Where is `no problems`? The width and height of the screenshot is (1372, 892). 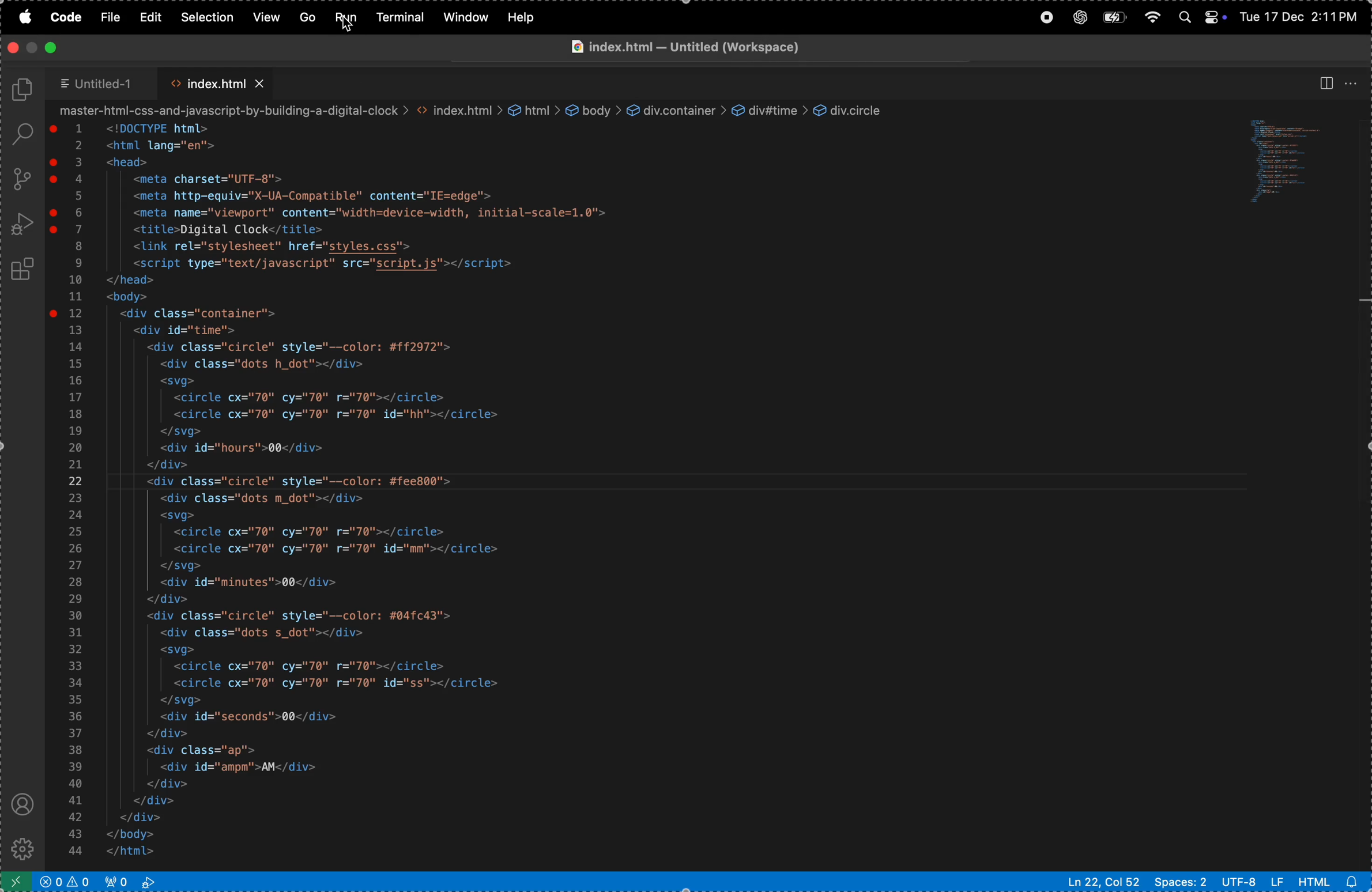
no problems is located at coordinates (68, 880).